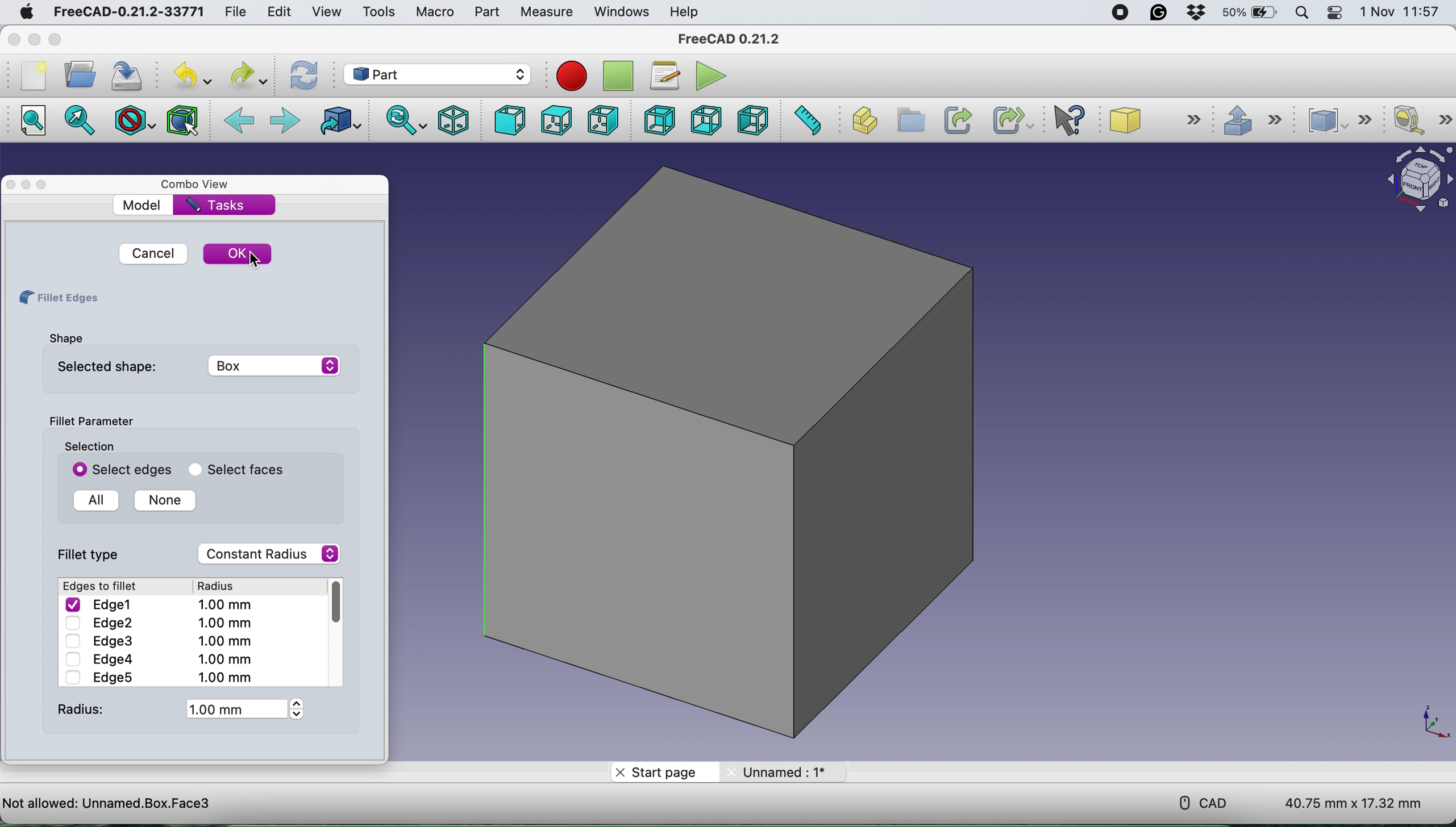 The image size is (1456, 827). I want to click on start page, so click(664, 771).